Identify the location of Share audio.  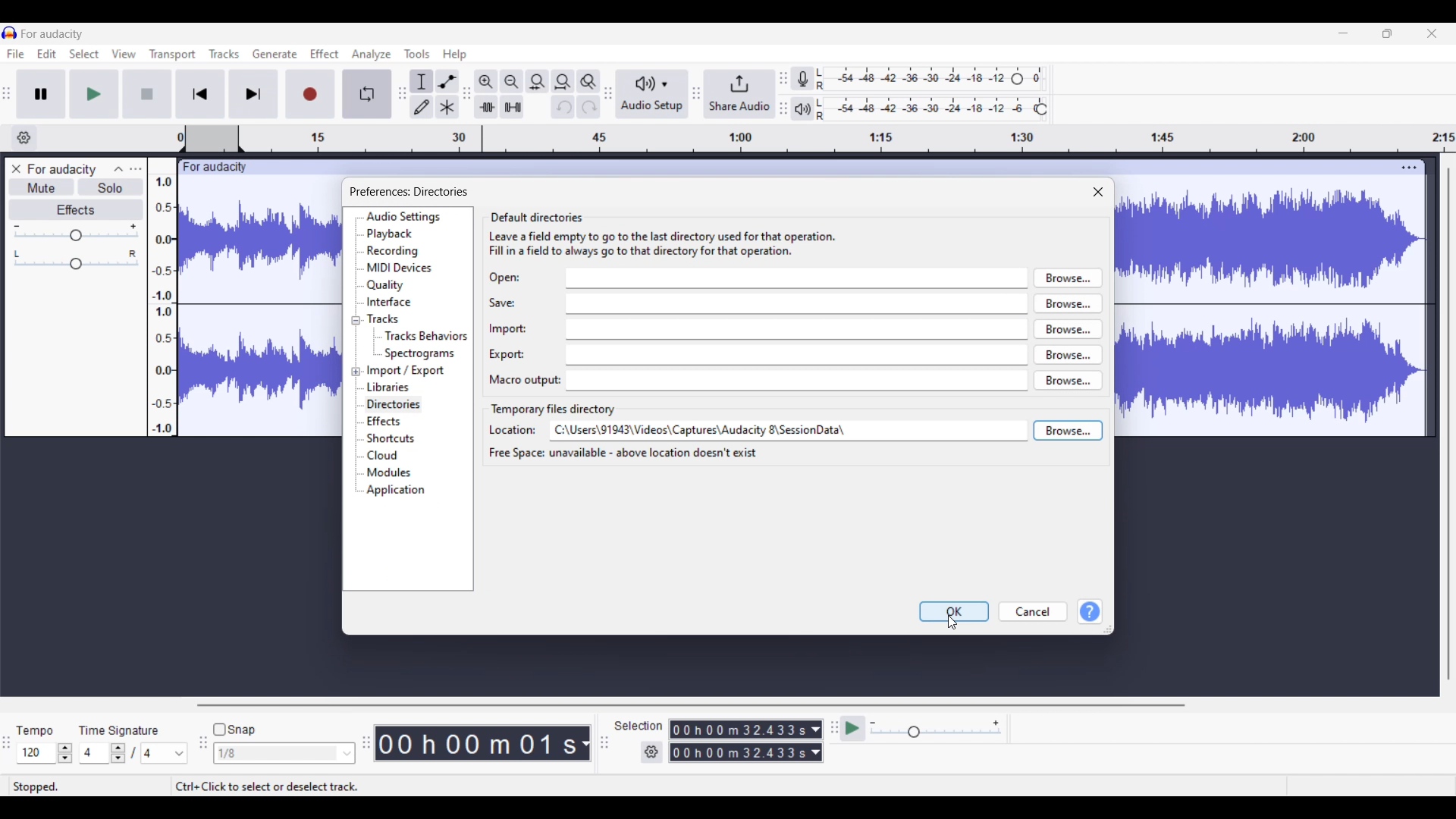
(740, 93).